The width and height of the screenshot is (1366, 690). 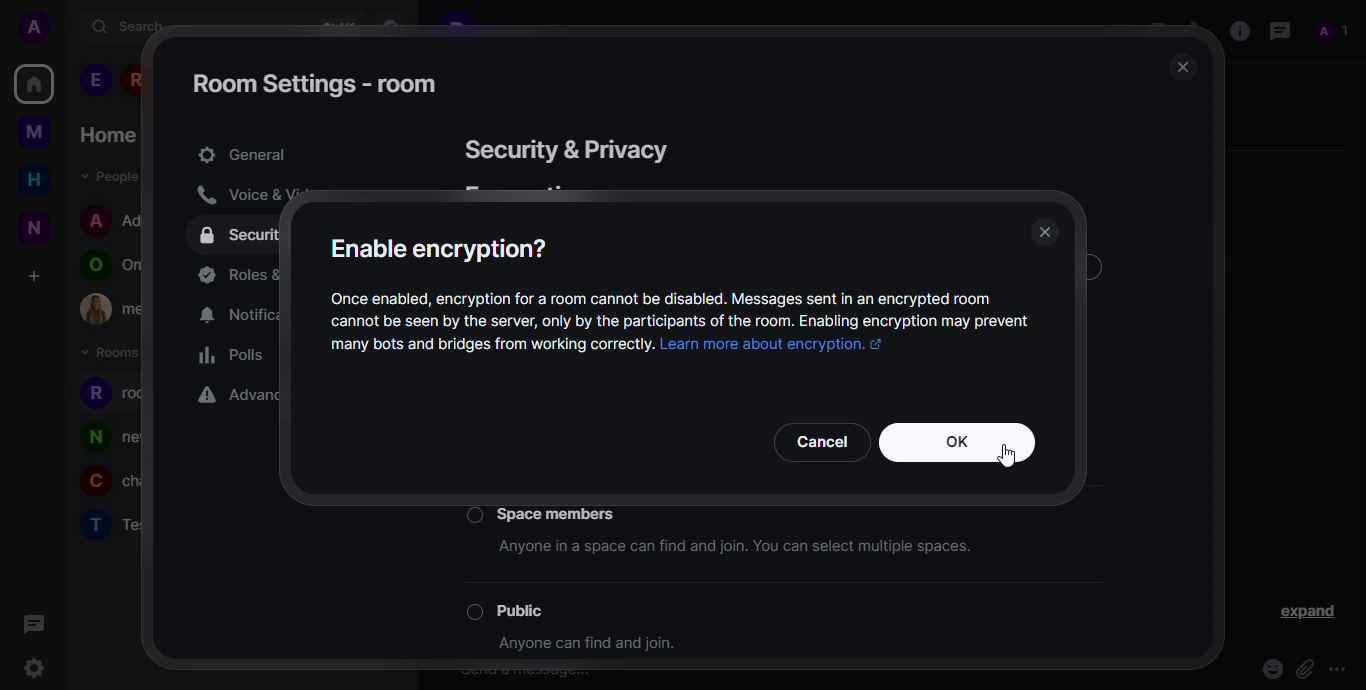 I want to click on voice & video, so click(x=236, y=195).